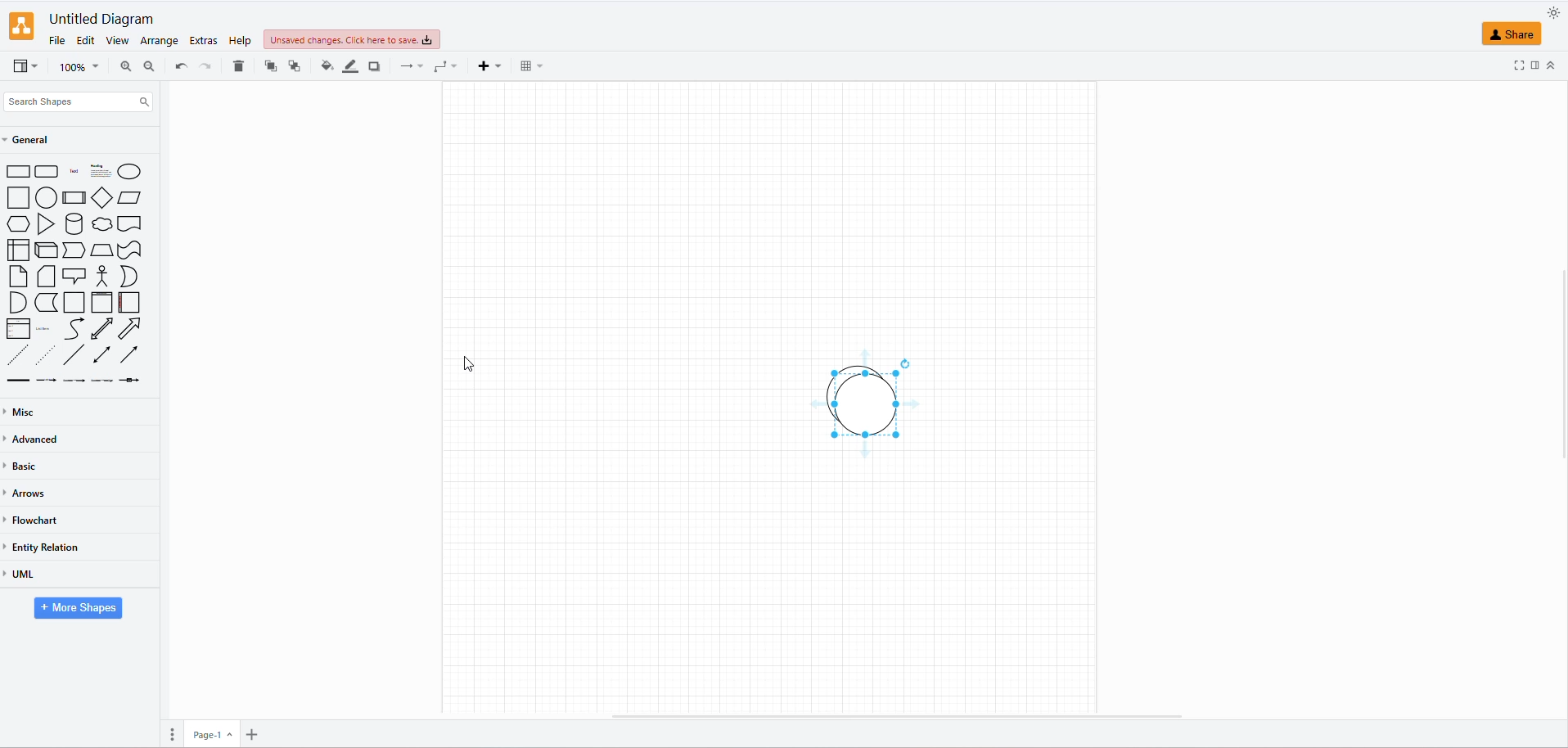 This screenshot has width=1568, height=748. I want to click on COLLAPSE, so click(1553, 65).